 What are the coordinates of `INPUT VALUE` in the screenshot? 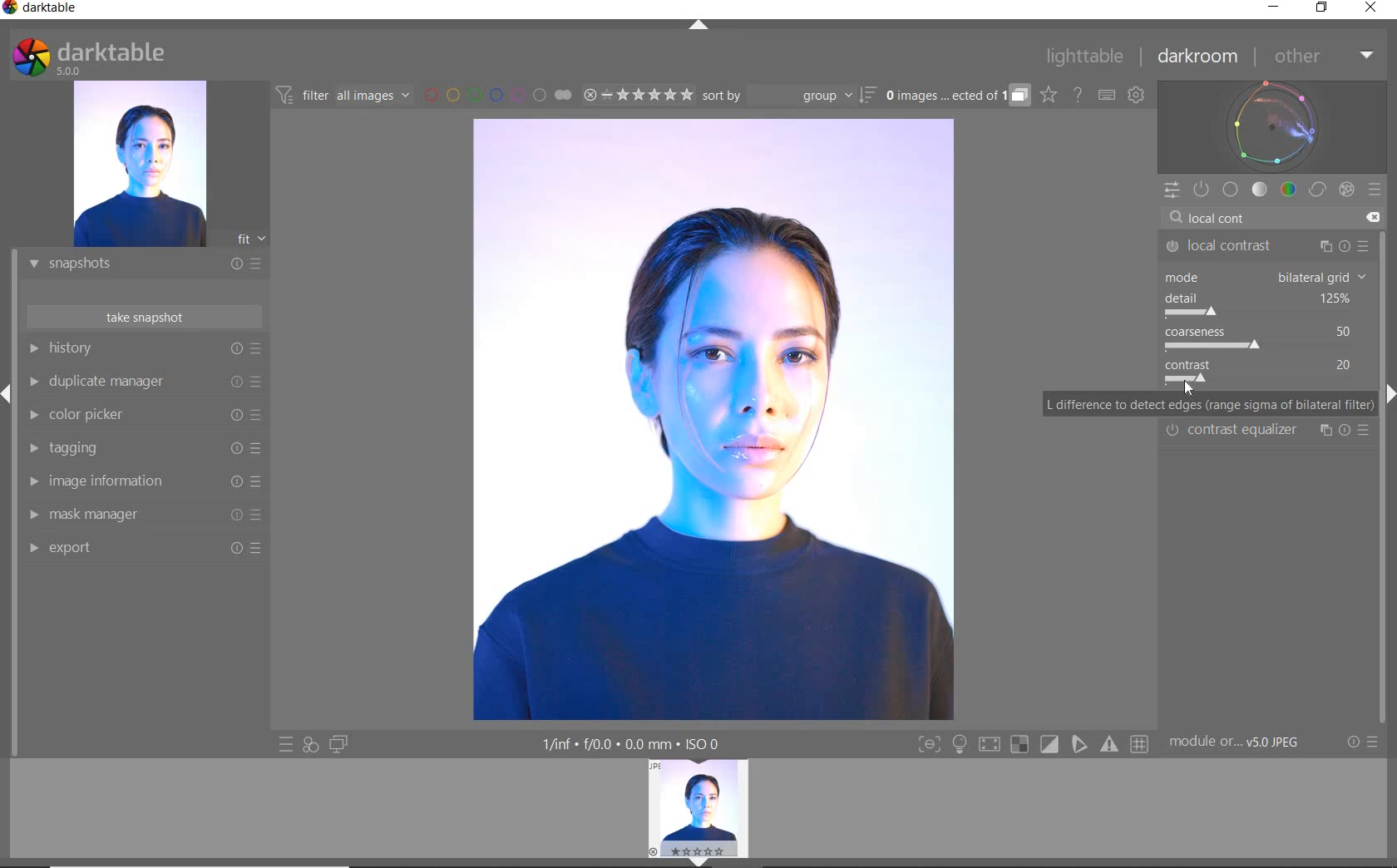 It's located at (1227, 216).